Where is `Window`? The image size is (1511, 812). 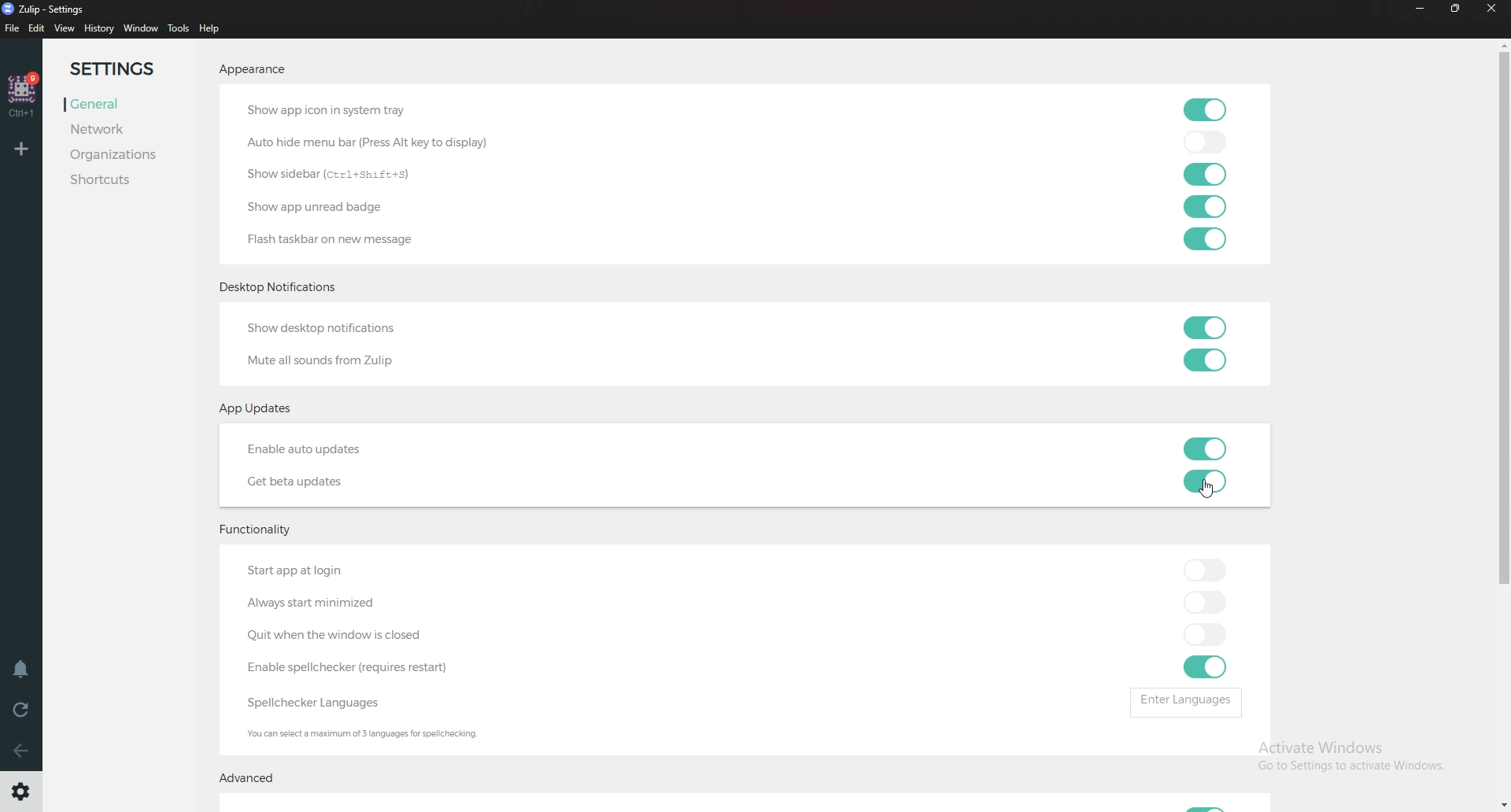
Window is located at coordinates (142, 27).